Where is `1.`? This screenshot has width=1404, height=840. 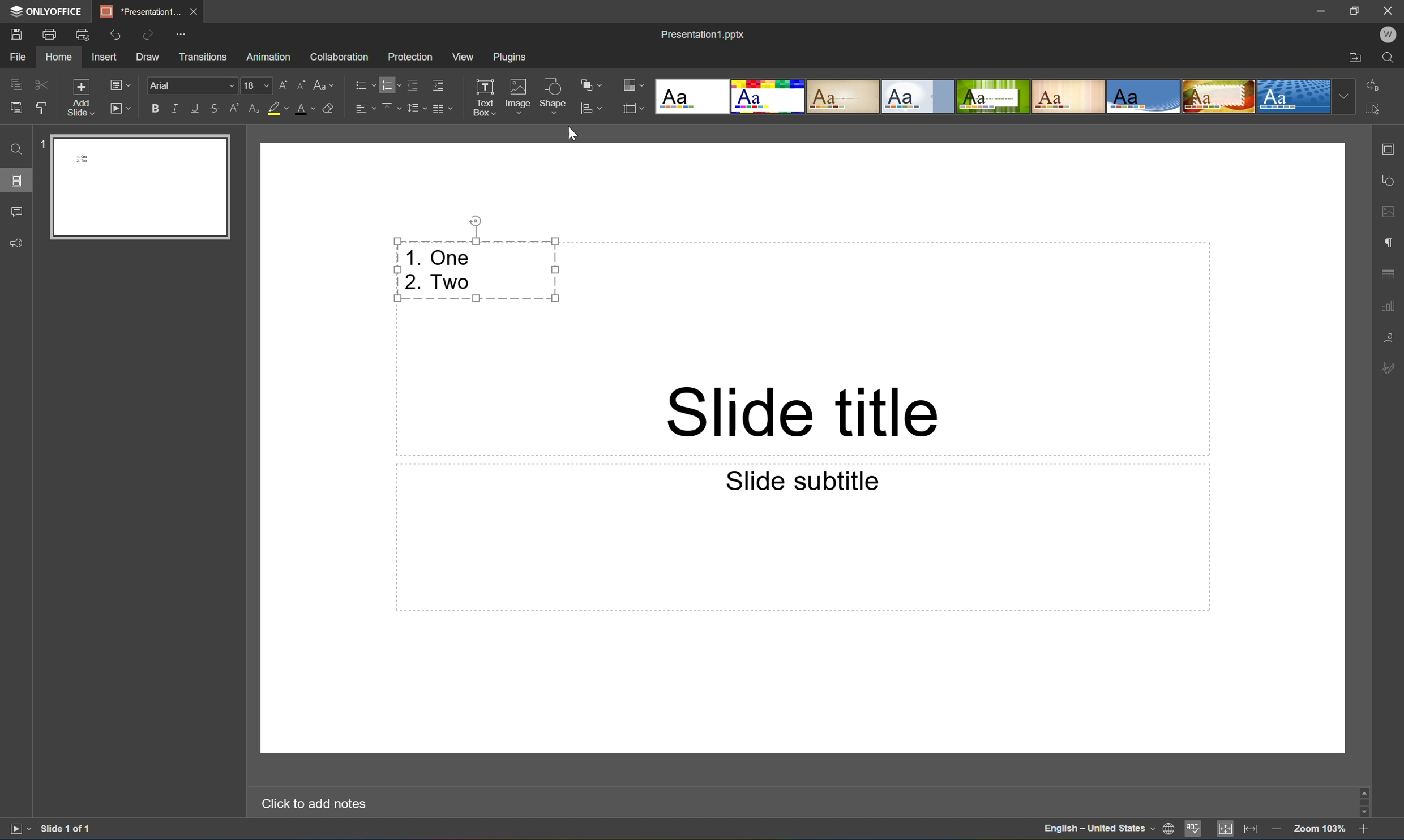
1. is located at coordinates (413, 256).